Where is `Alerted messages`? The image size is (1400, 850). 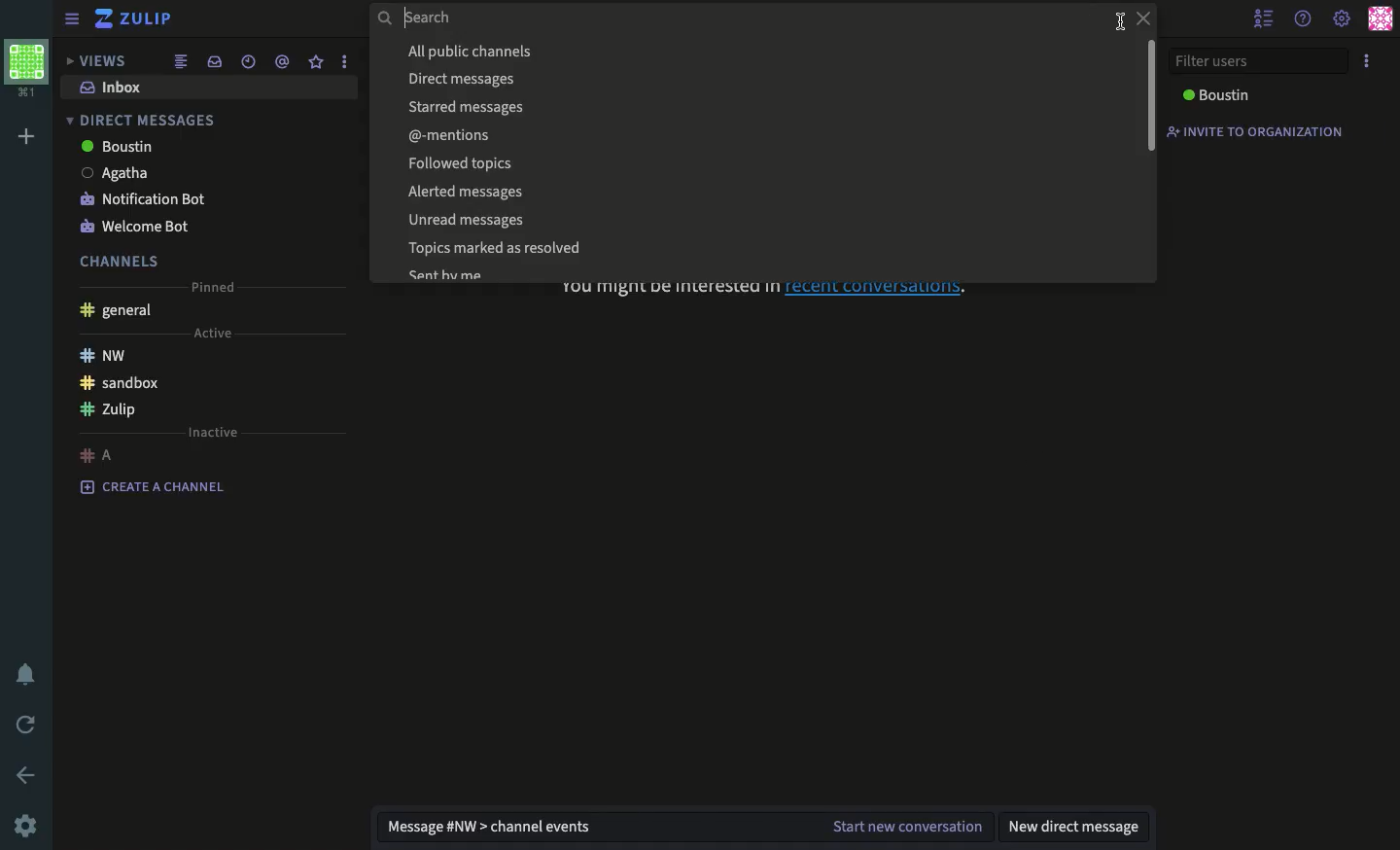 Alerted messages is located at coordinates (463, 193).